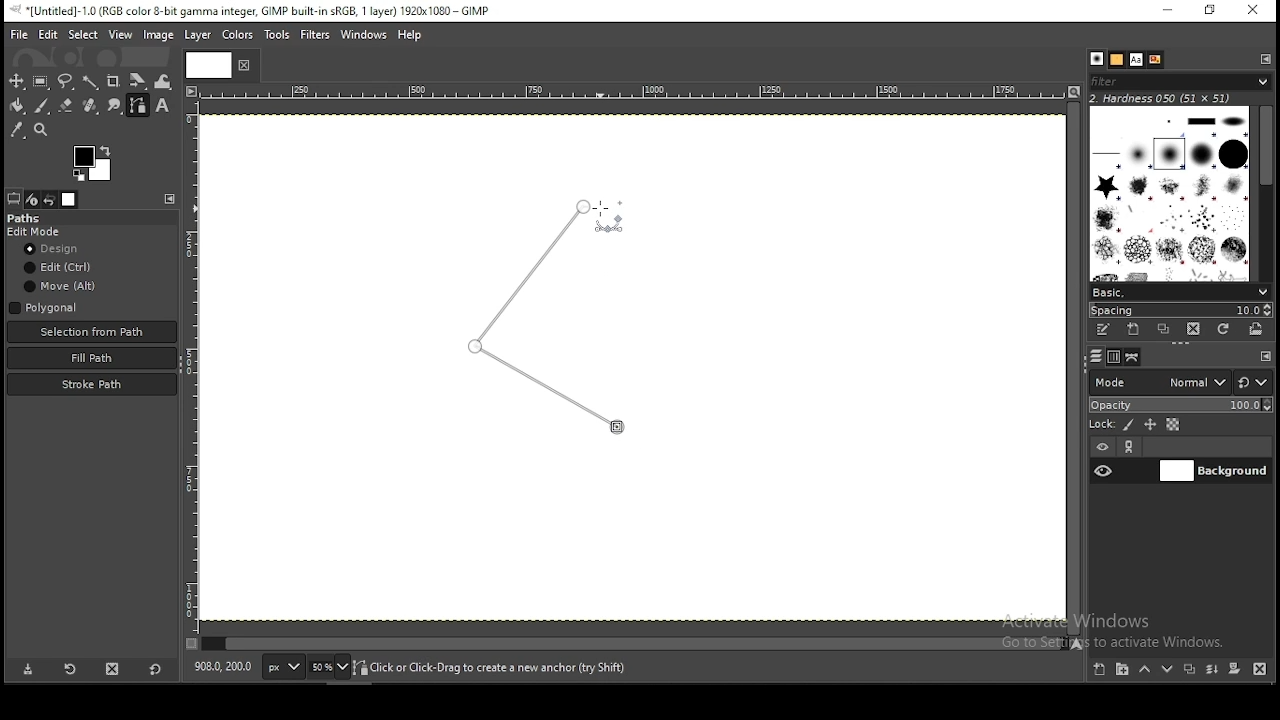 This screenshot has height=720, width=1280. I want to click on brushes, so click(1097, 59).